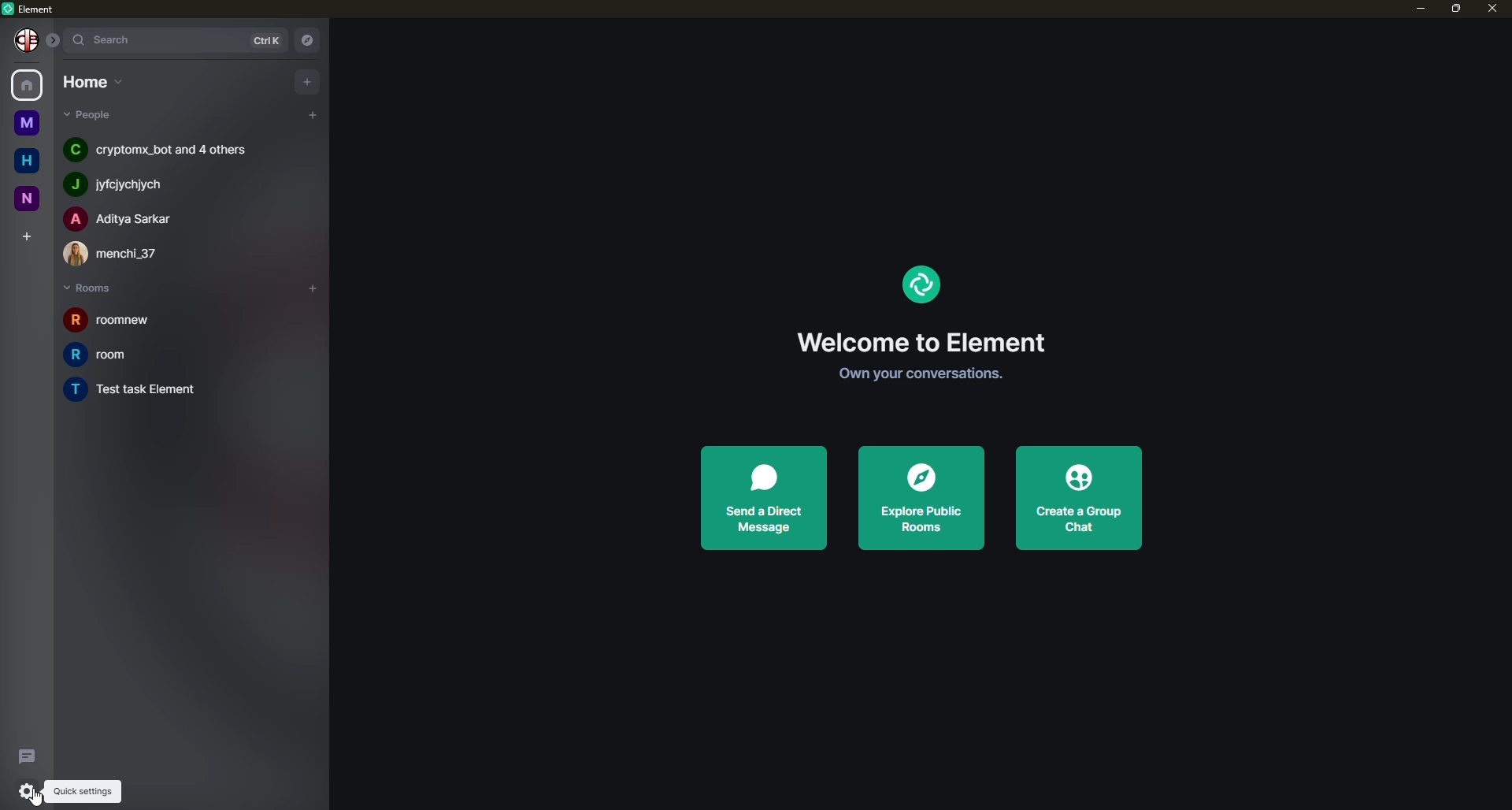  I want to click on close, so click(1494, 9).